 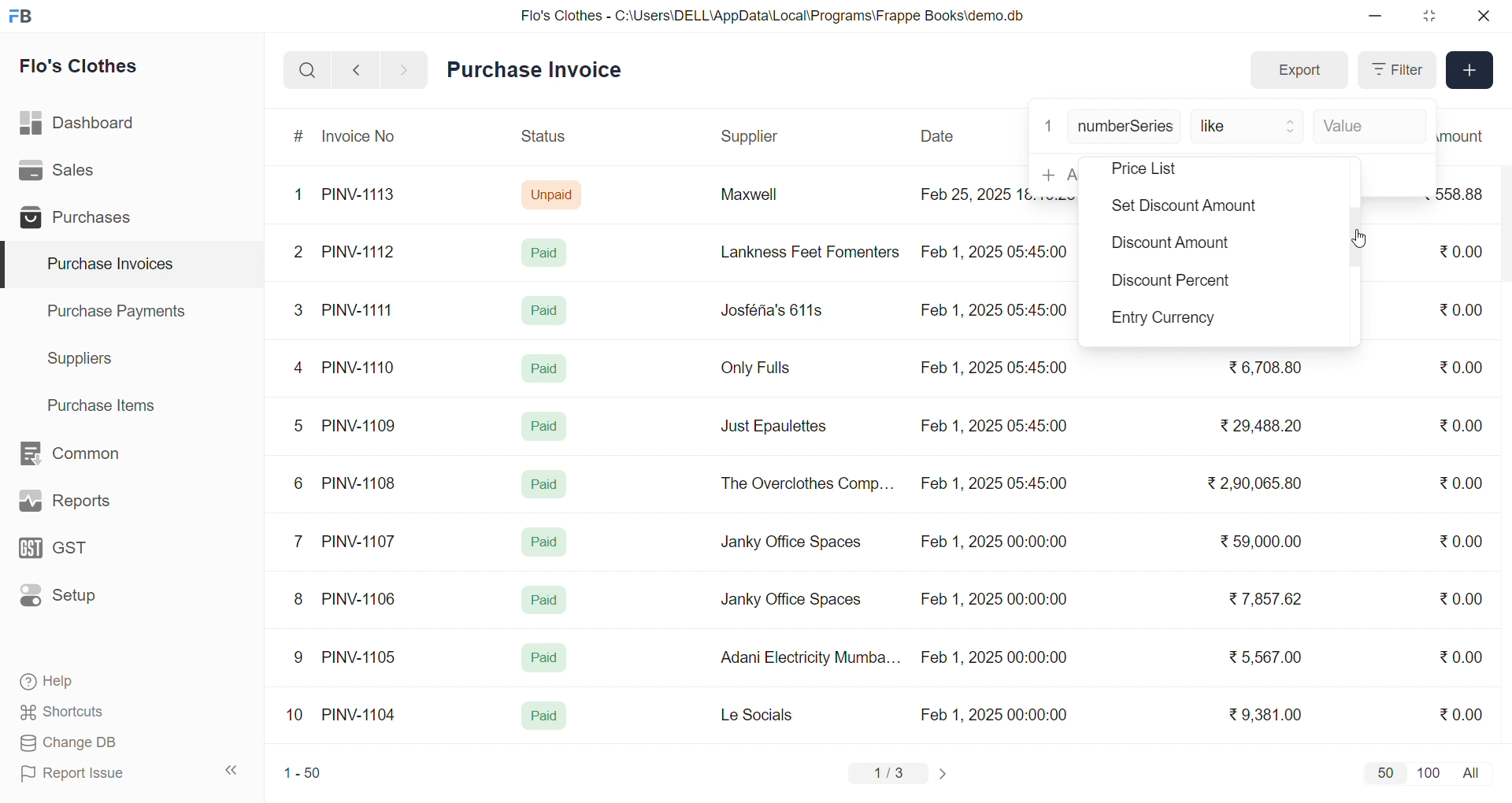 I want to click on Paid, so click(x=547, y=424).